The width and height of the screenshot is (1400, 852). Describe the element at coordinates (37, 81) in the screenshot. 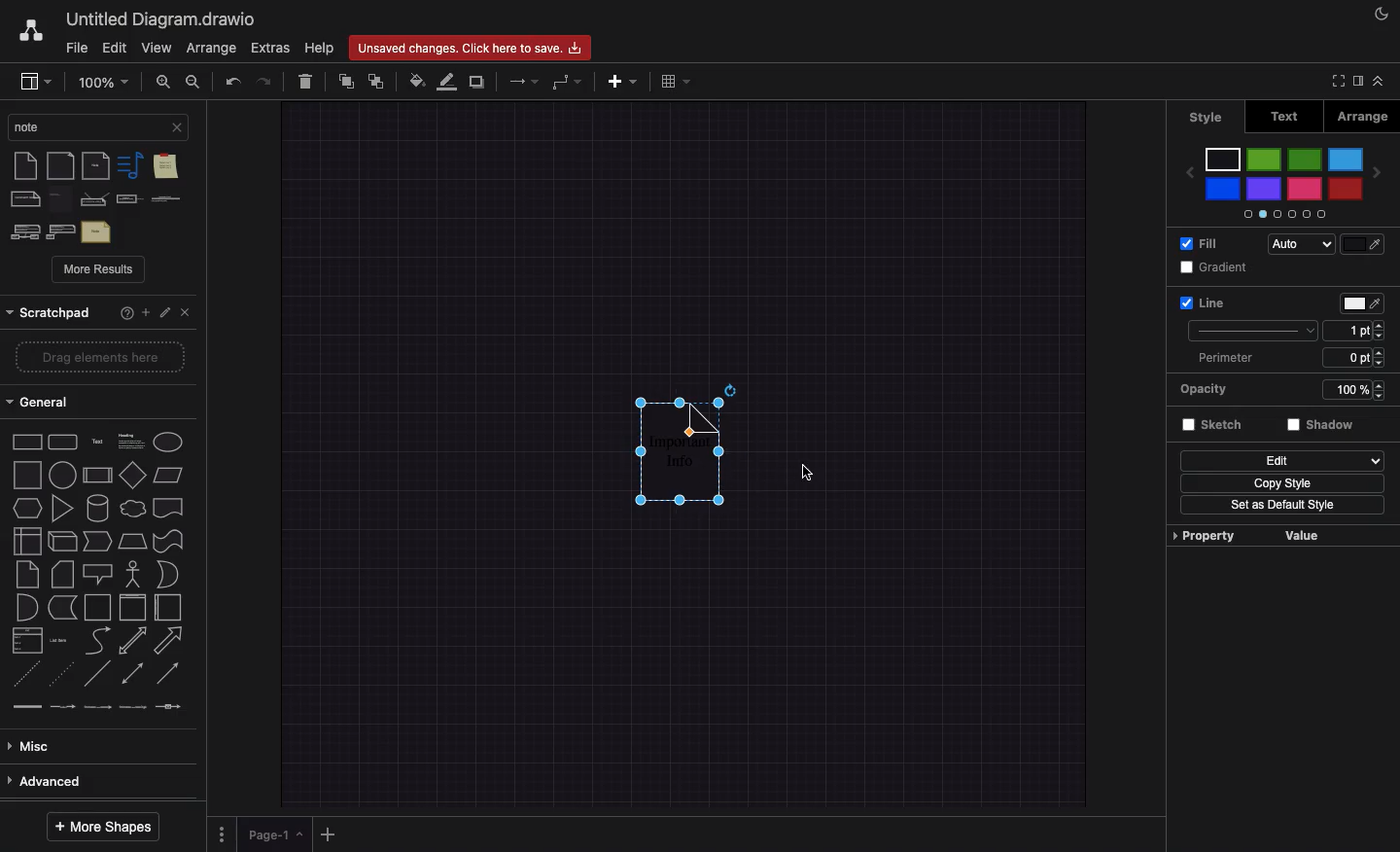

I see `Sidebar` at that location.